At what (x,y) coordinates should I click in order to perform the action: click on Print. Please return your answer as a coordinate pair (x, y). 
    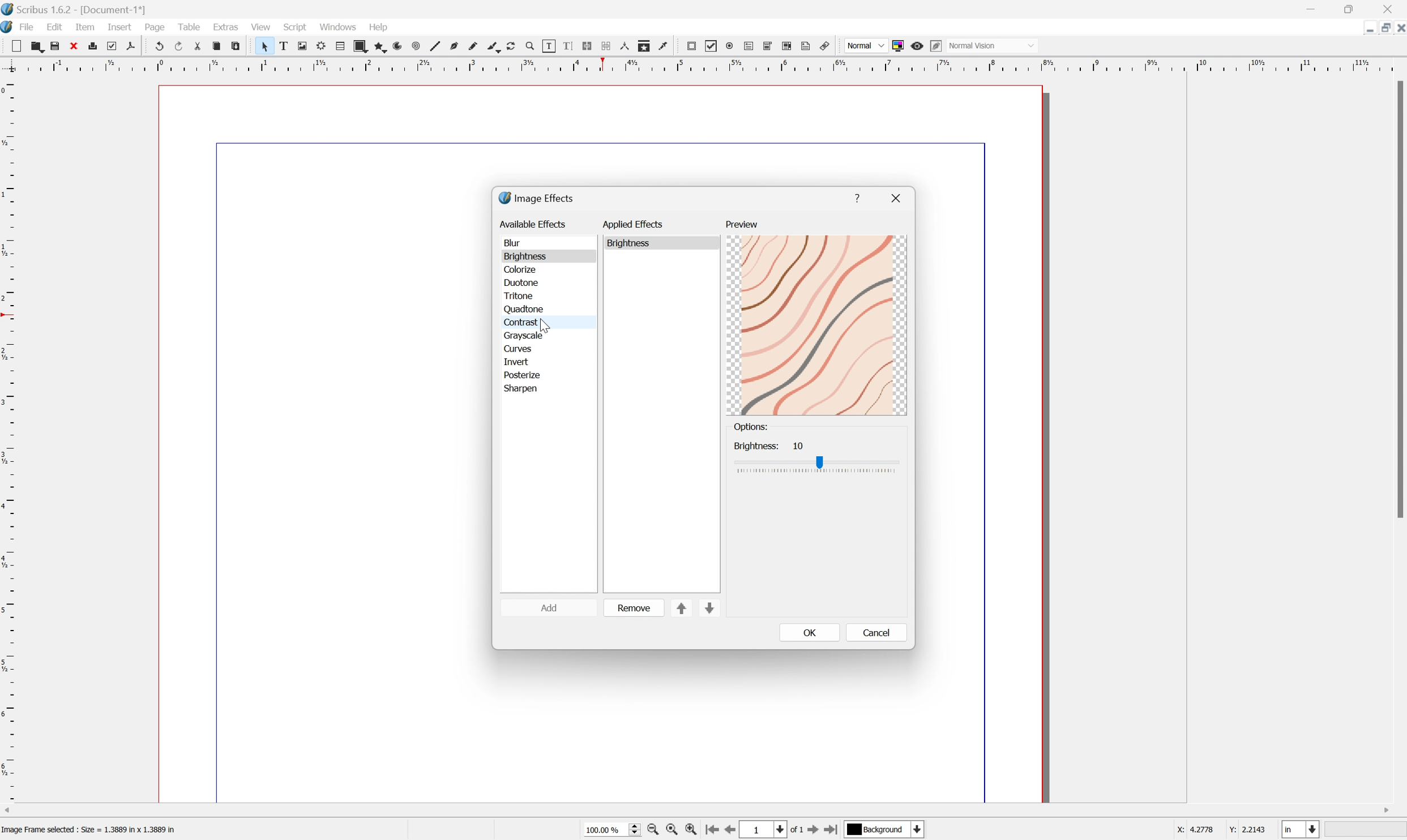
    Looking at the image, I should click on (95, 46).